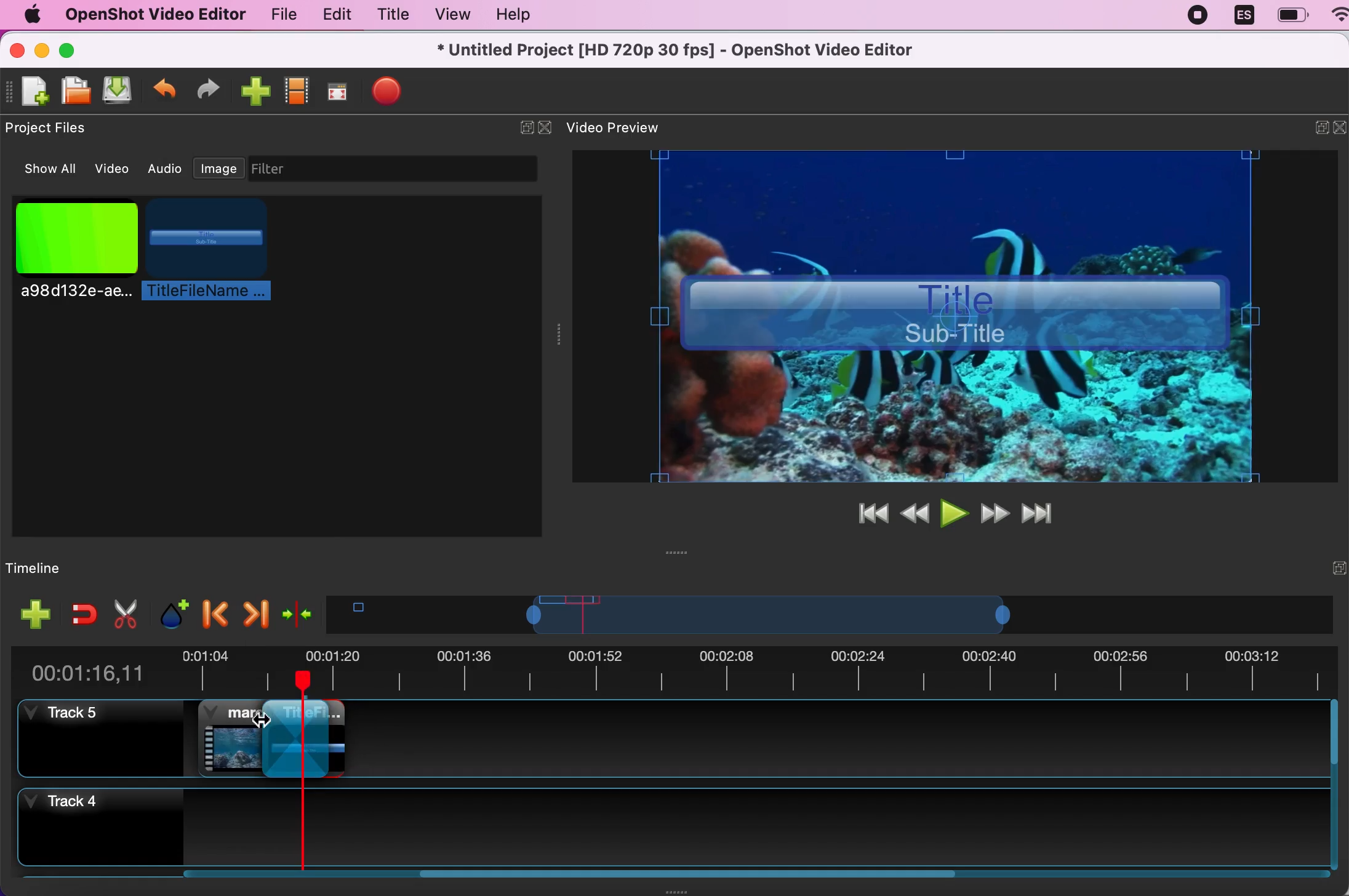 The image size is (1349, 896). Describe the element at coordinates (17, 49) in the screenshot. I see `close` at that location.